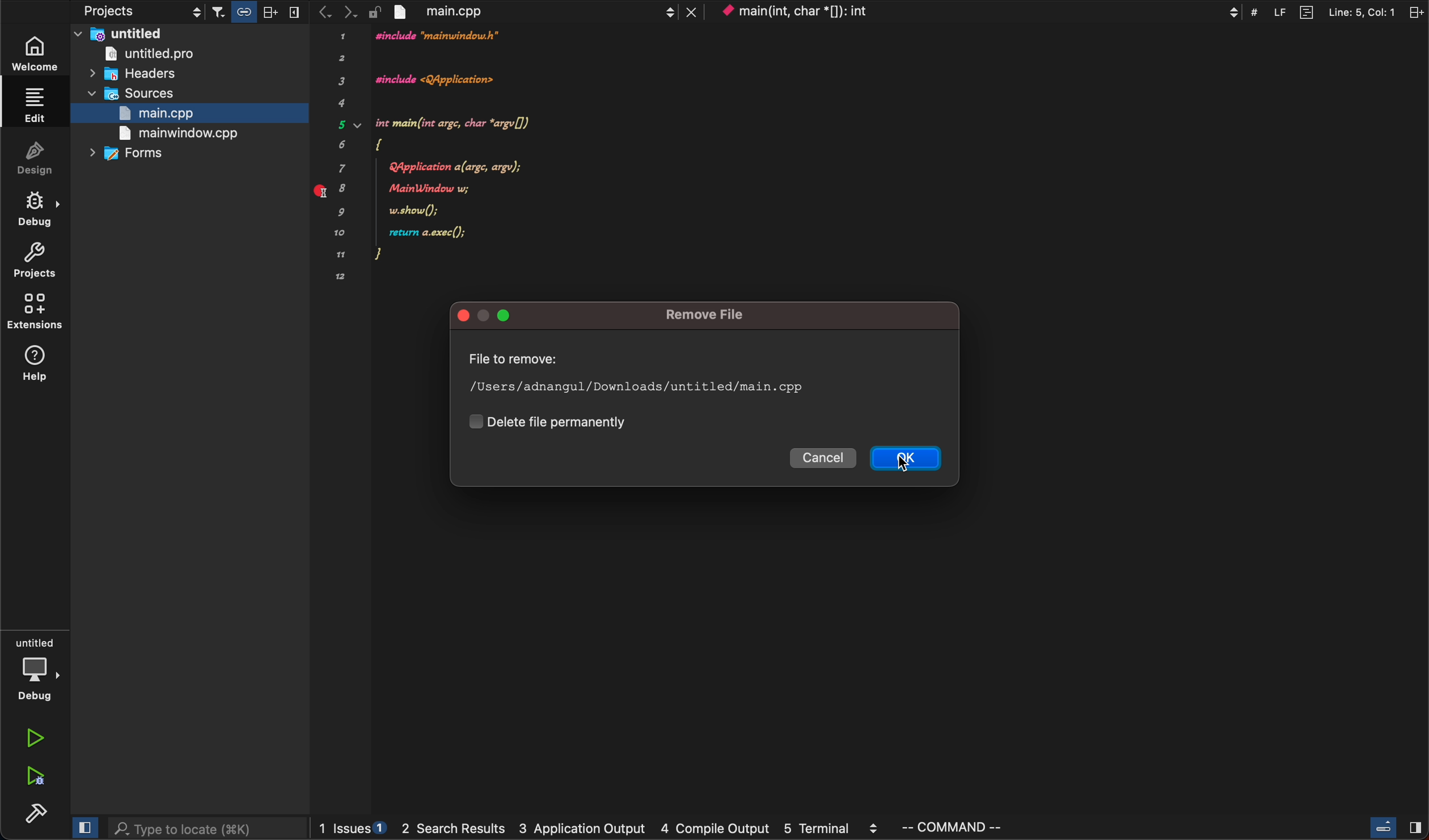 This screenshot has height=840, width=1429. I want to click on Curser, so click(914, 464).